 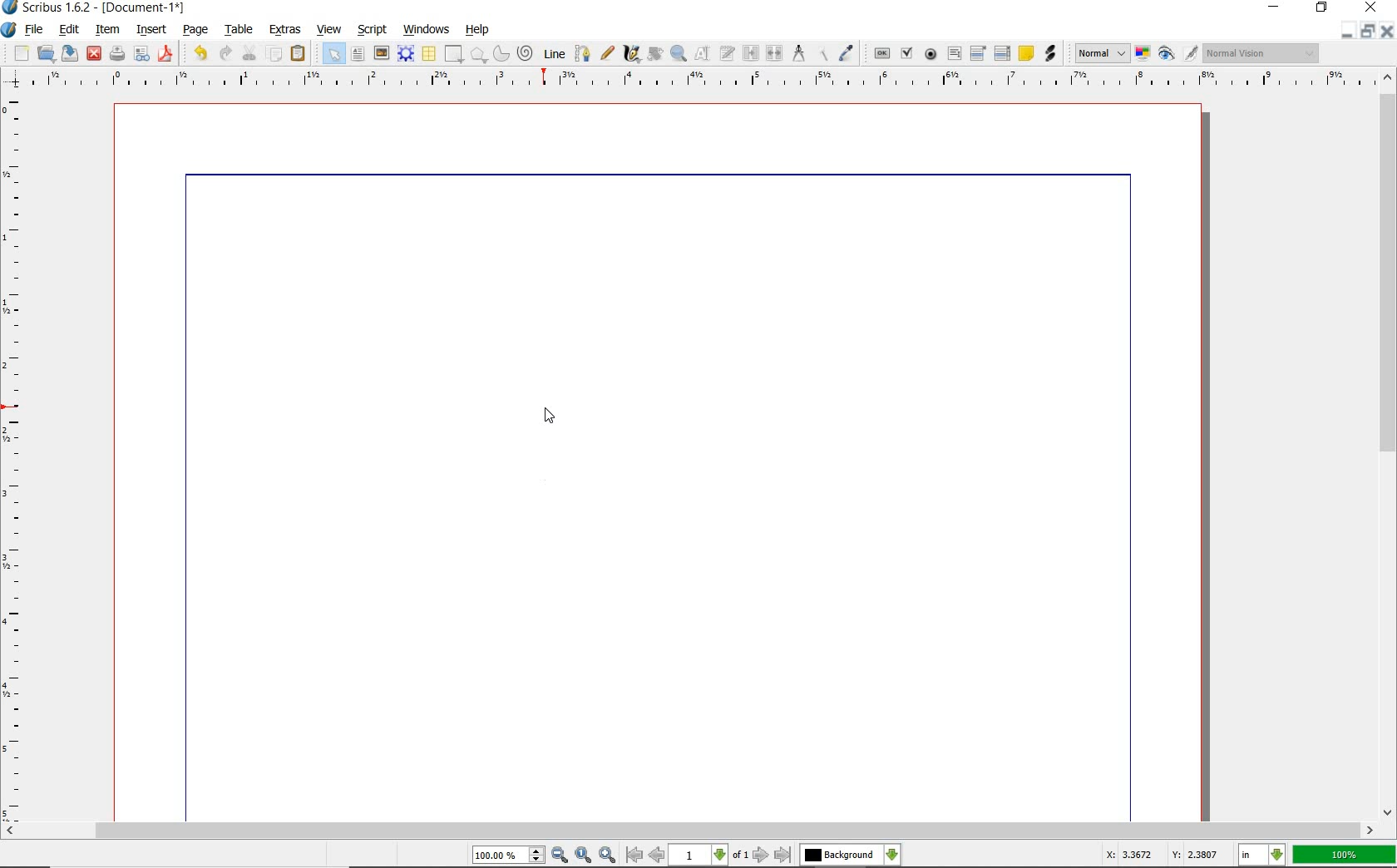 What do you see at coordinates (711, 856) in the screenshot?
I see `1 of 1` at bounding box center [711, 856].